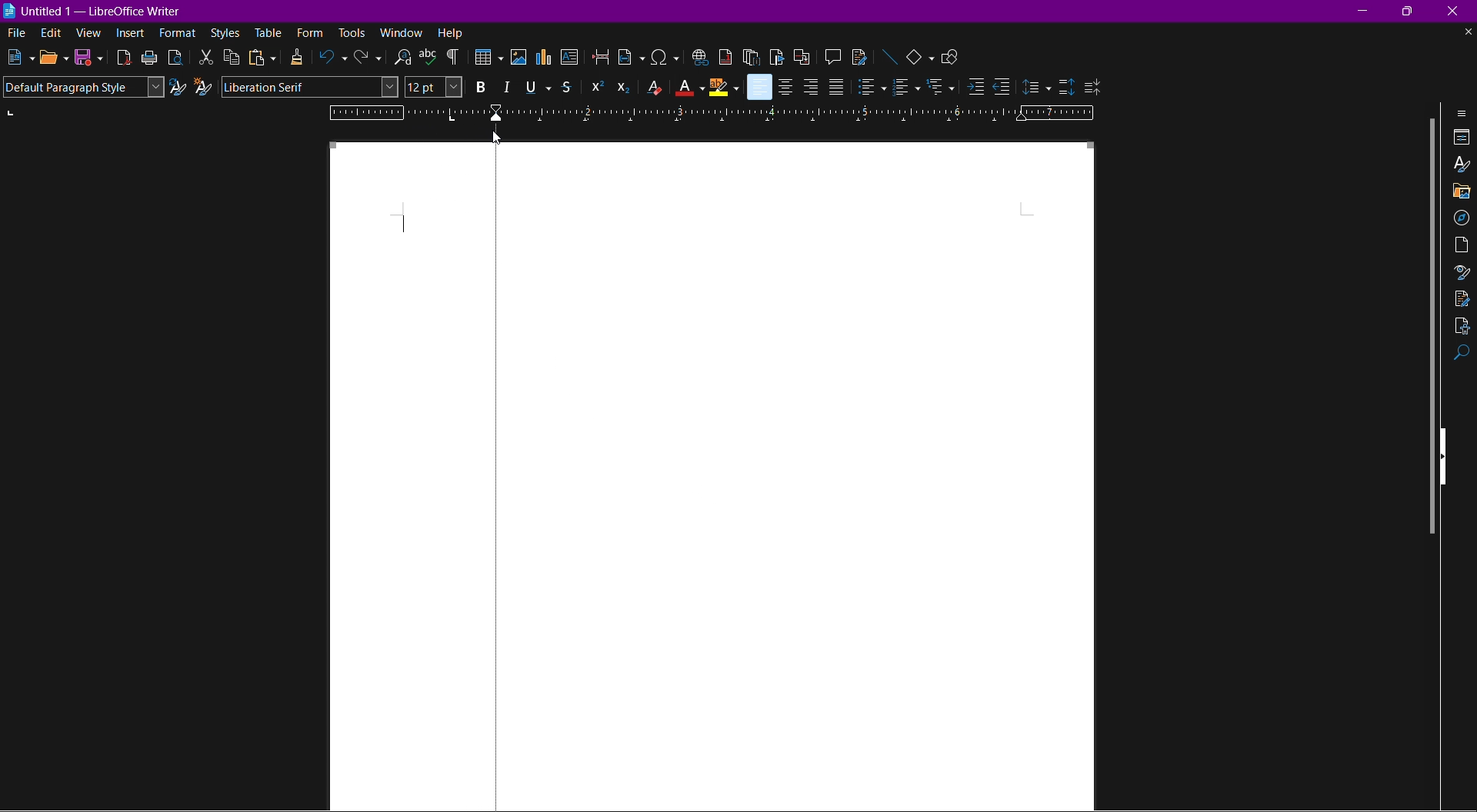 The width and height of the screenshot is (1477, 812). I want to click on edit, so click(50, 33).